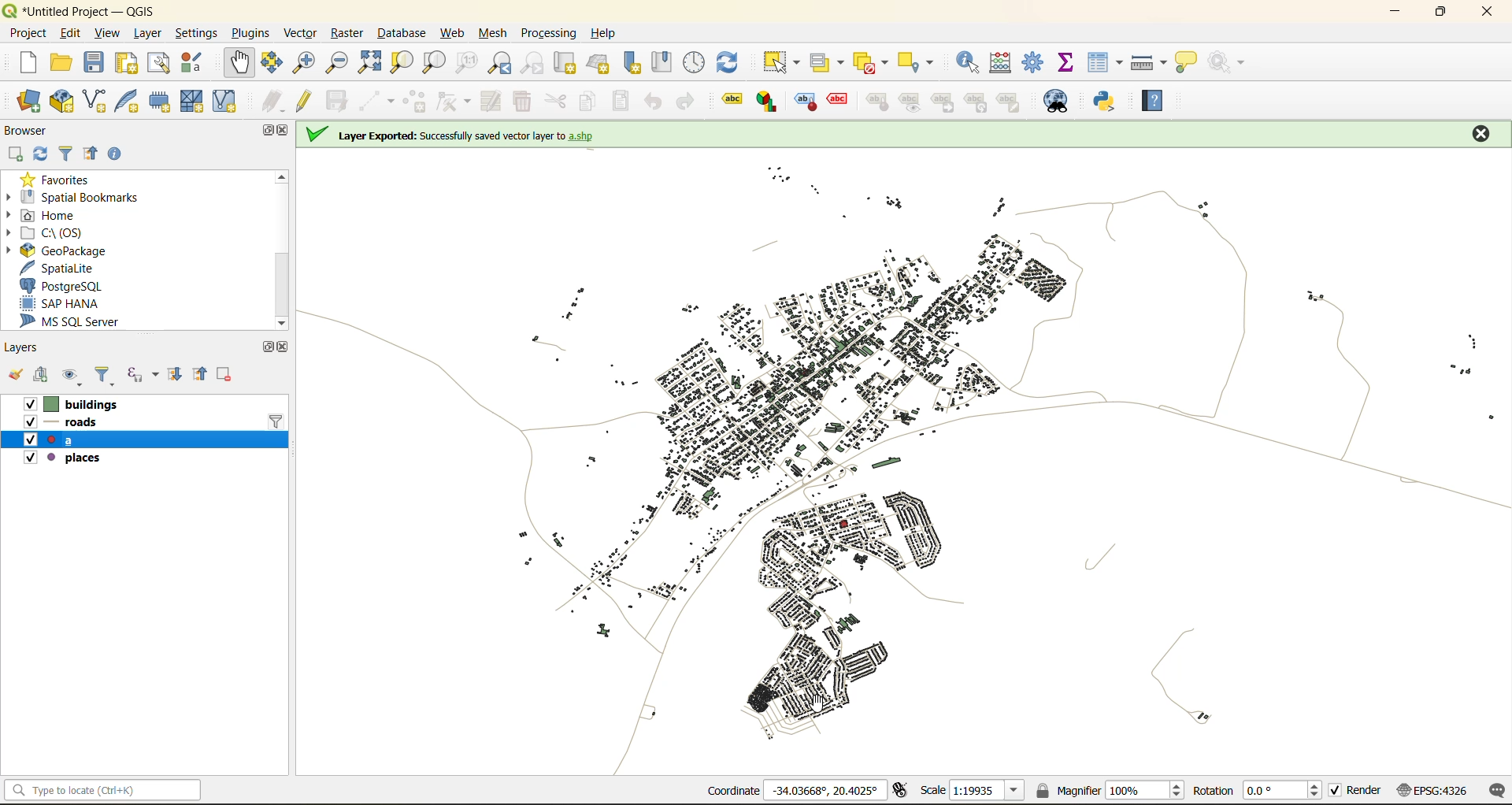 The height and width of the screenshot is (805, 1512). I want to click on plugins, so click(251, 33).